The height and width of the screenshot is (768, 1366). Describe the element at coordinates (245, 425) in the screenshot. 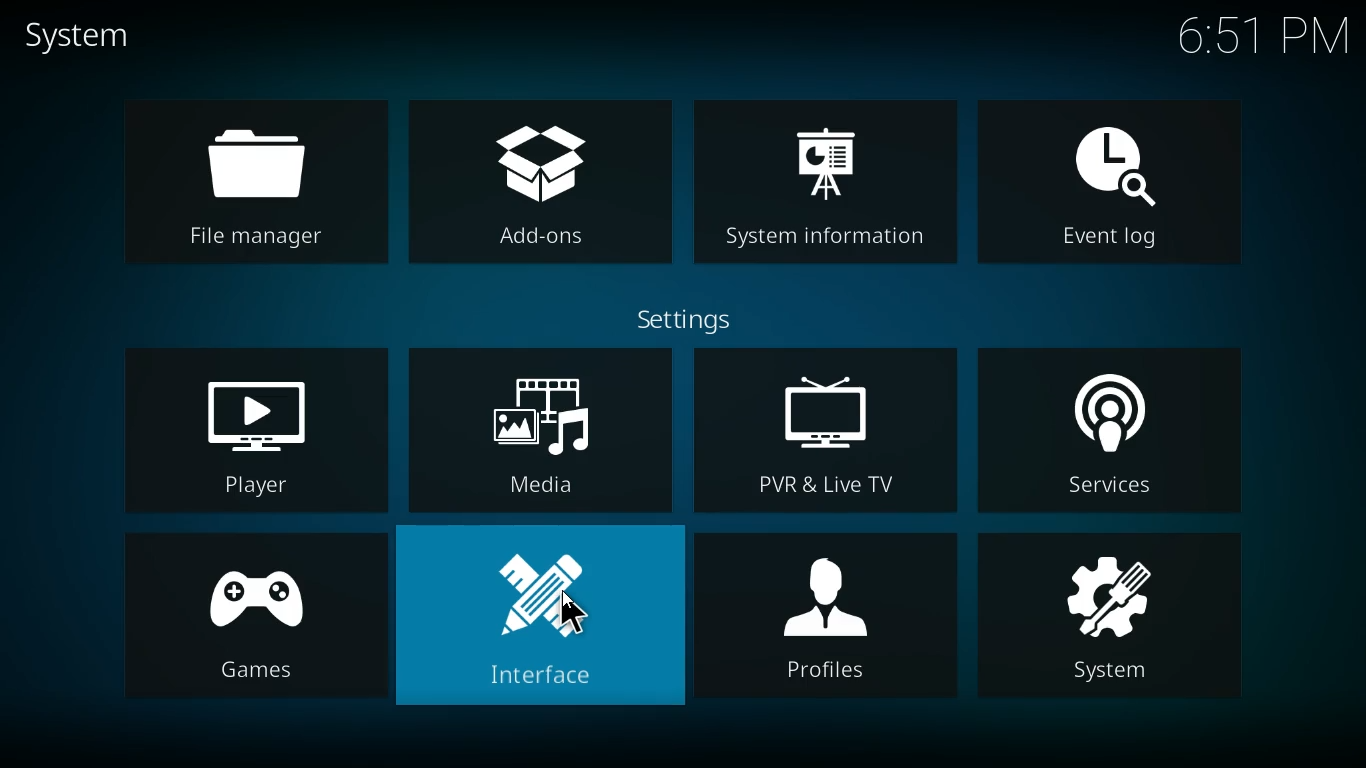

I see `player` at that location.